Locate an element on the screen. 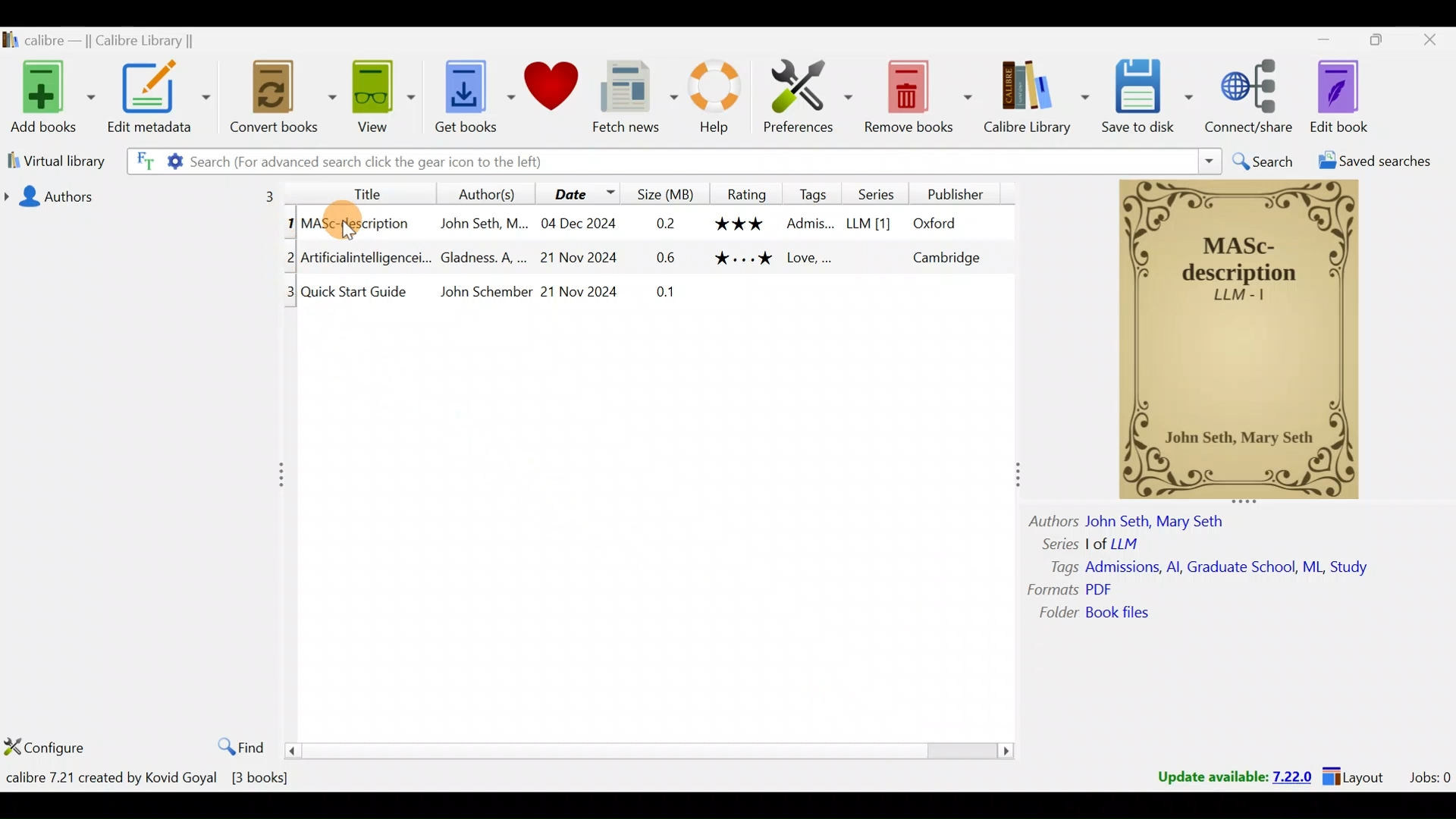 The width and height of the screenshot is (1456, 819).  is located at coordinates (1158, 523).